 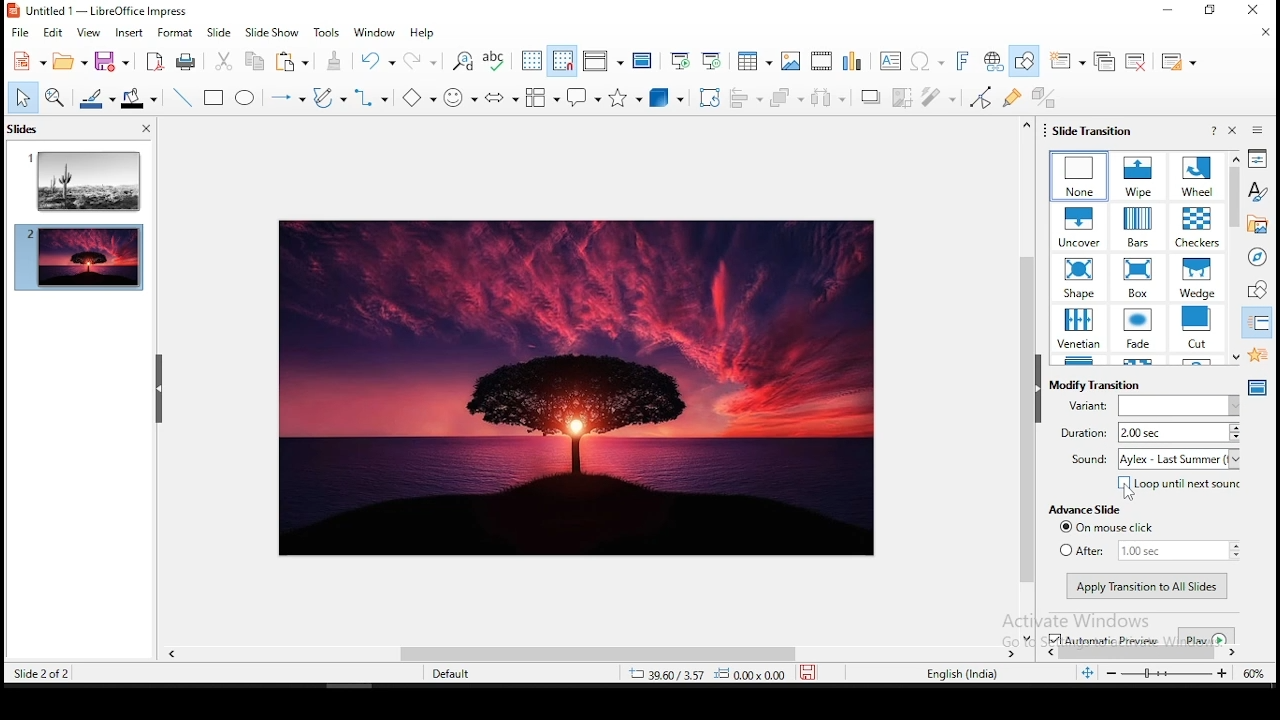 What do you see at coordinates (1257, 387) in the screenshot?
I see `master slides` at bounding box center [1257, 387].